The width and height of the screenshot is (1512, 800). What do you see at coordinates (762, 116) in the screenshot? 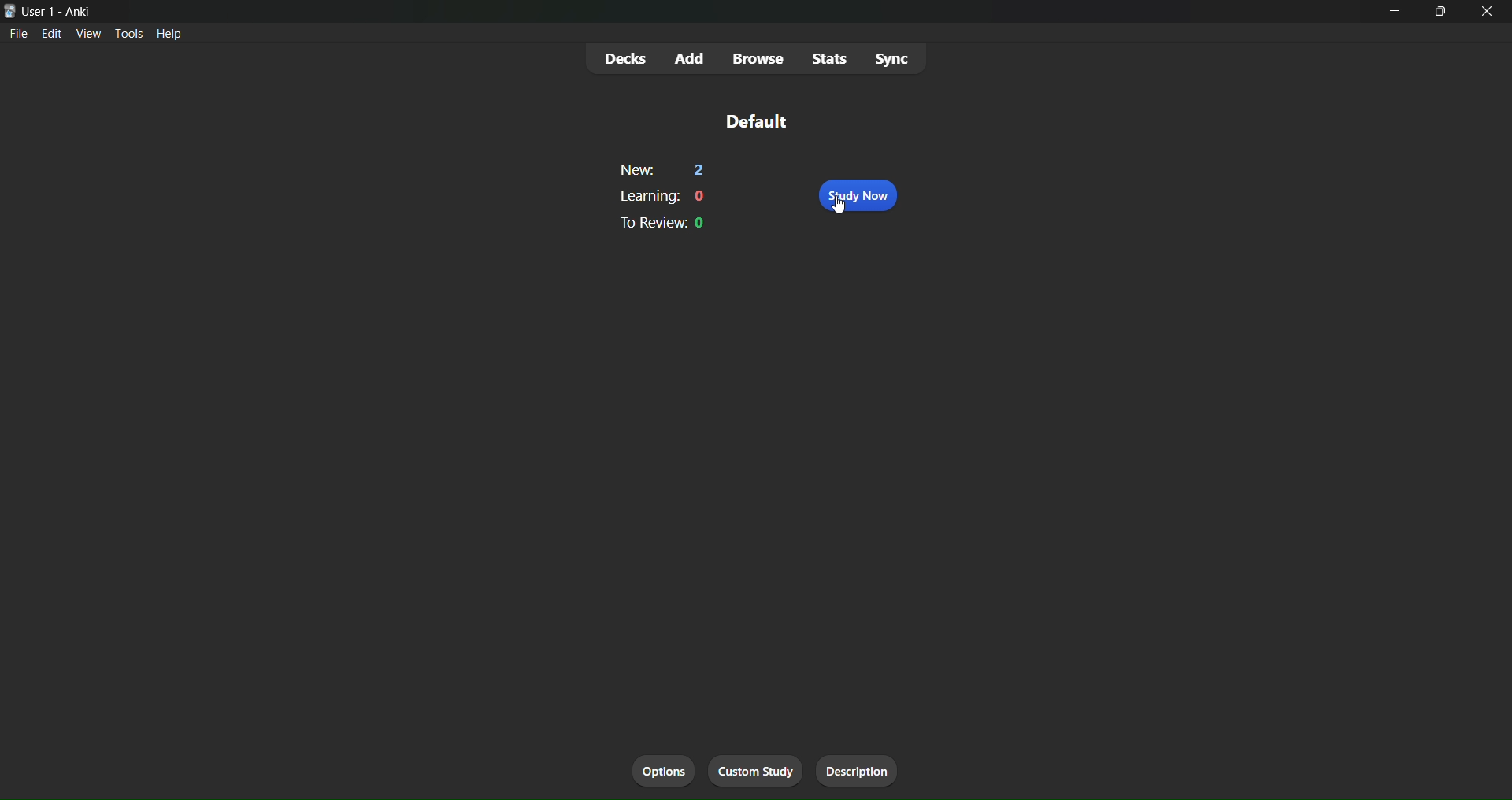
I see `default` at bounding box center [762, 116].